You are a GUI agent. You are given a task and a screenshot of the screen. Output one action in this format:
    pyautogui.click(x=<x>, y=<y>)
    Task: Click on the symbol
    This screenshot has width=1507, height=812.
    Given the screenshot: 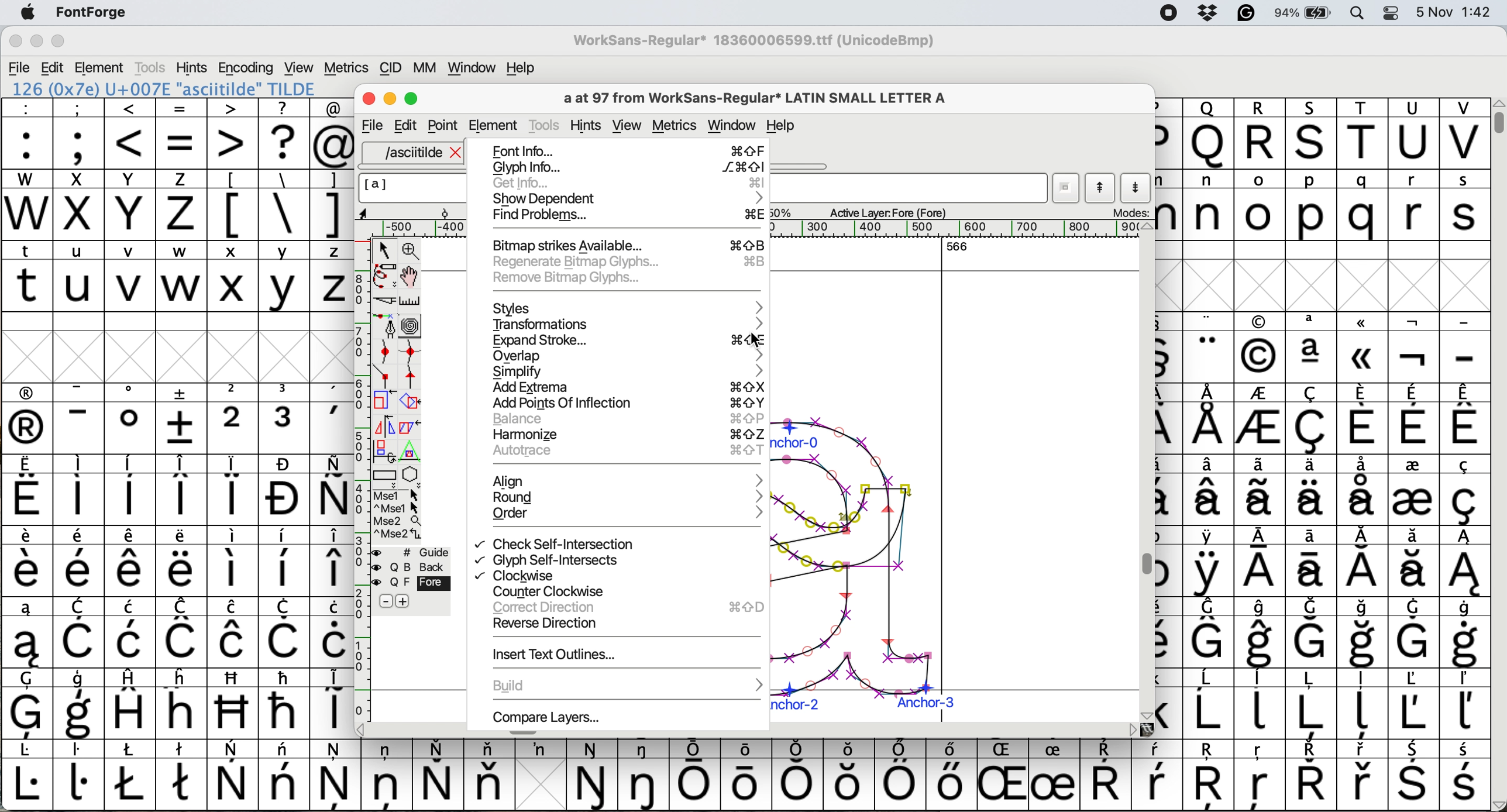 What is the action you would take?
    pyautogui.click(x=80, y=419)
    